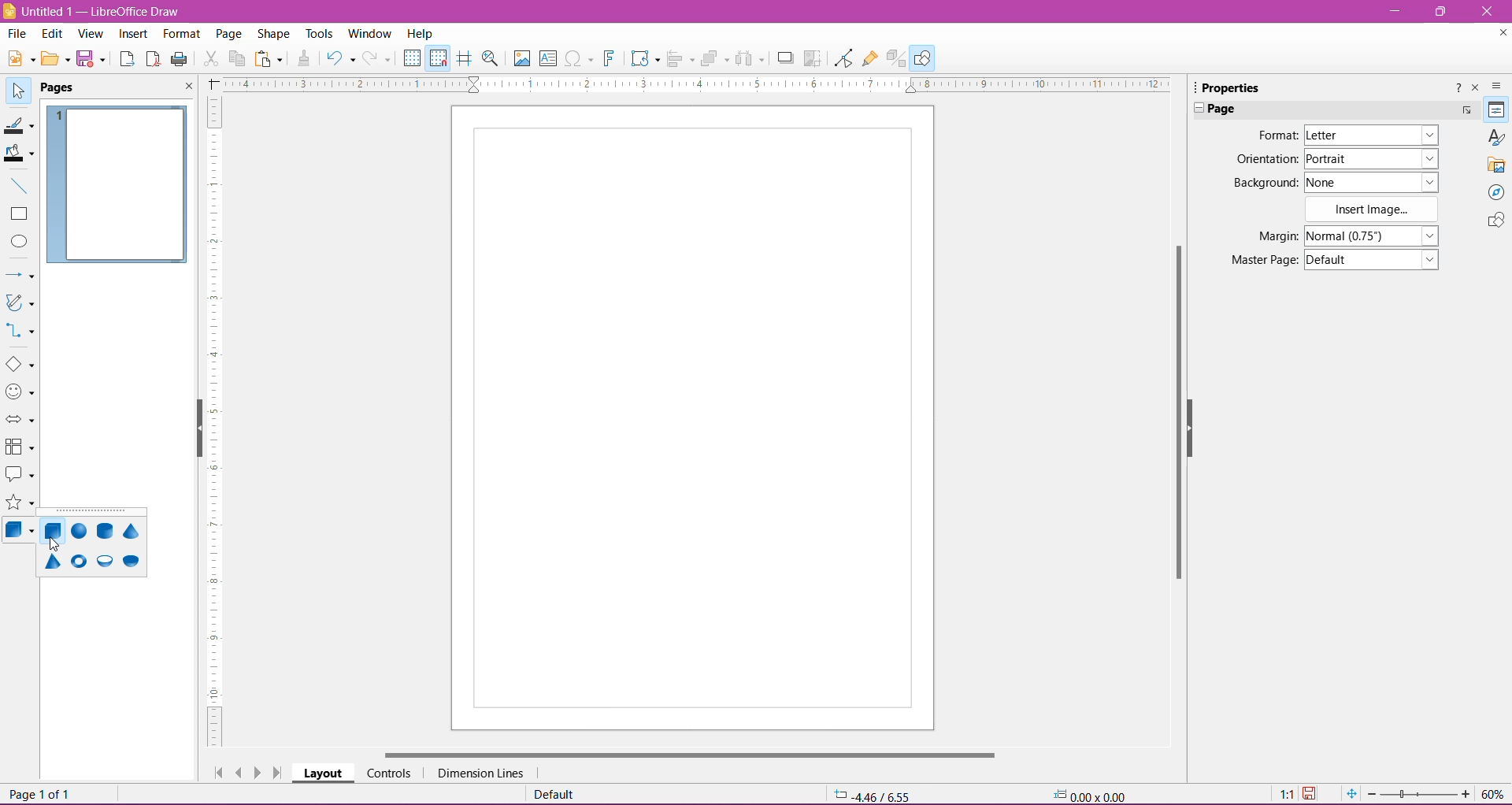 The width and height of the screenshot is (1512, 805). I want to click on cursor, so click(43, 547).